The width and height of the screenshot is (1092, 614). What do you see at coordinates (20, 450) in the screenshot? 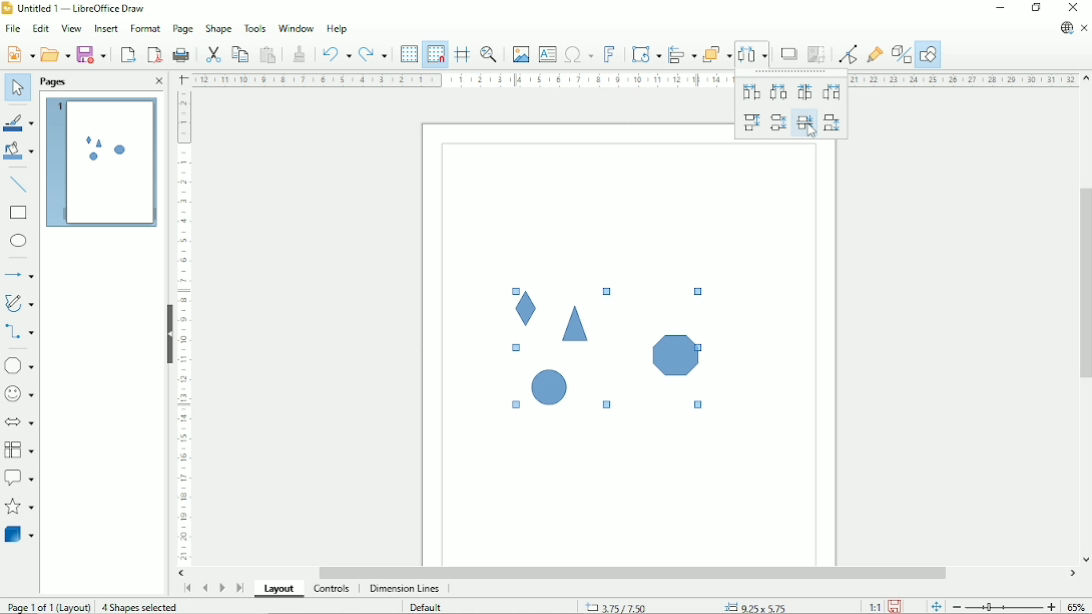
I see `Flowchart` at bounding box center [20, 450].